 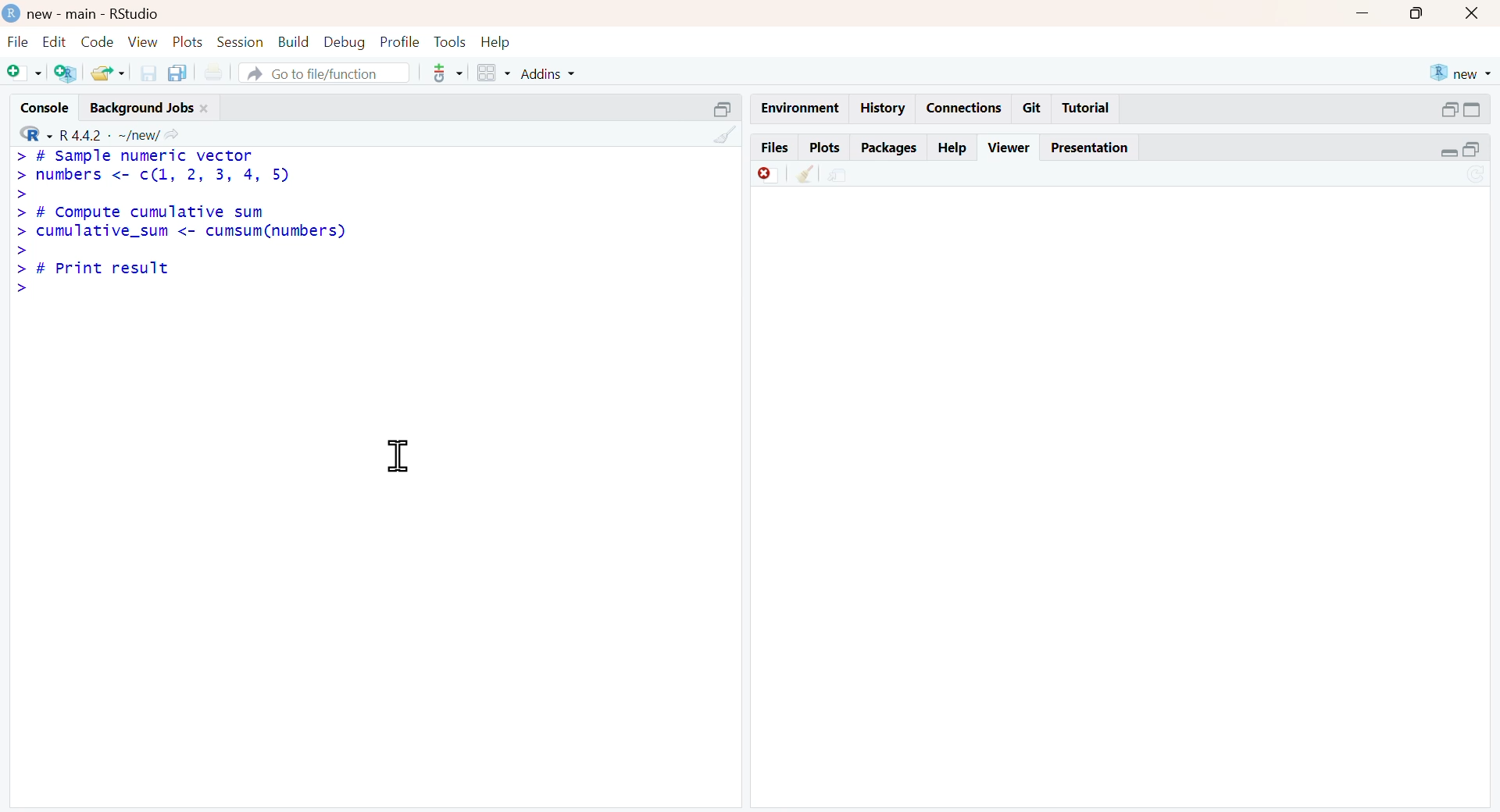 I want to click on R, so click(x=37, y=133).